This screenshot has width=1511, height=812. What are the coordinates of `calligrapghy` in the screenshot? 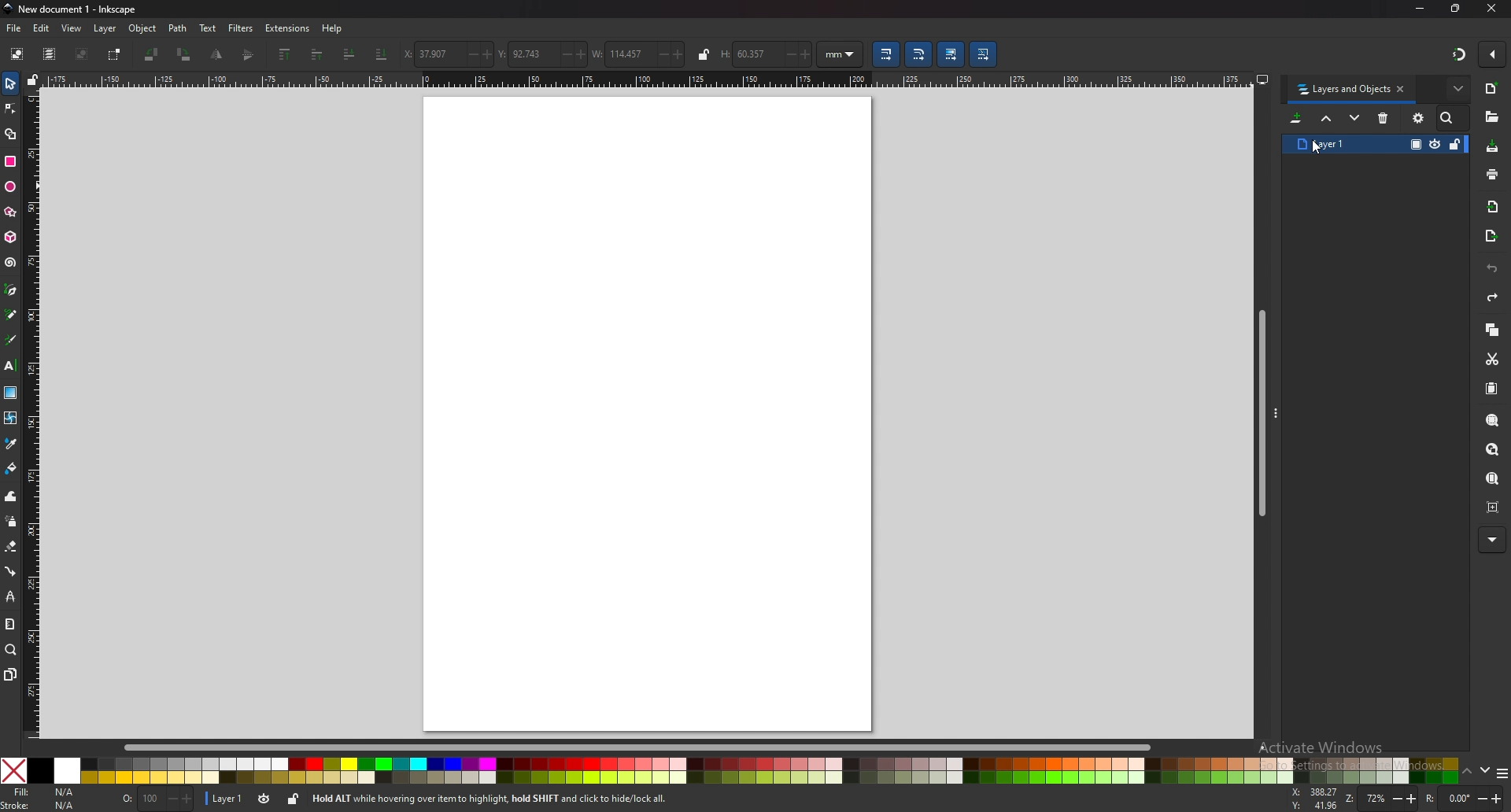 It's located at (10, 340).